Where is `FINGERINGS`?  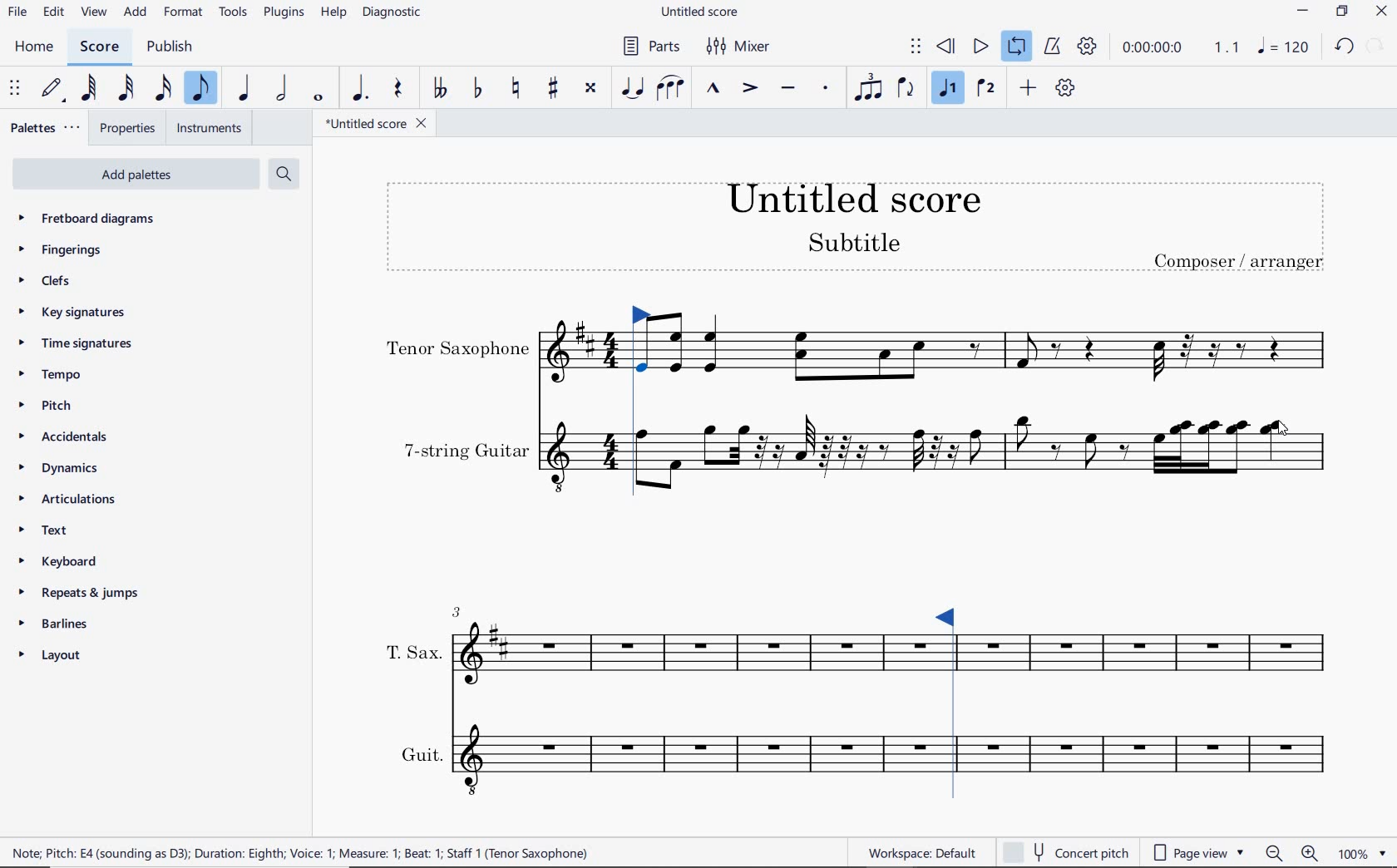 FINGERINGS is located at coordinates (62, 250).